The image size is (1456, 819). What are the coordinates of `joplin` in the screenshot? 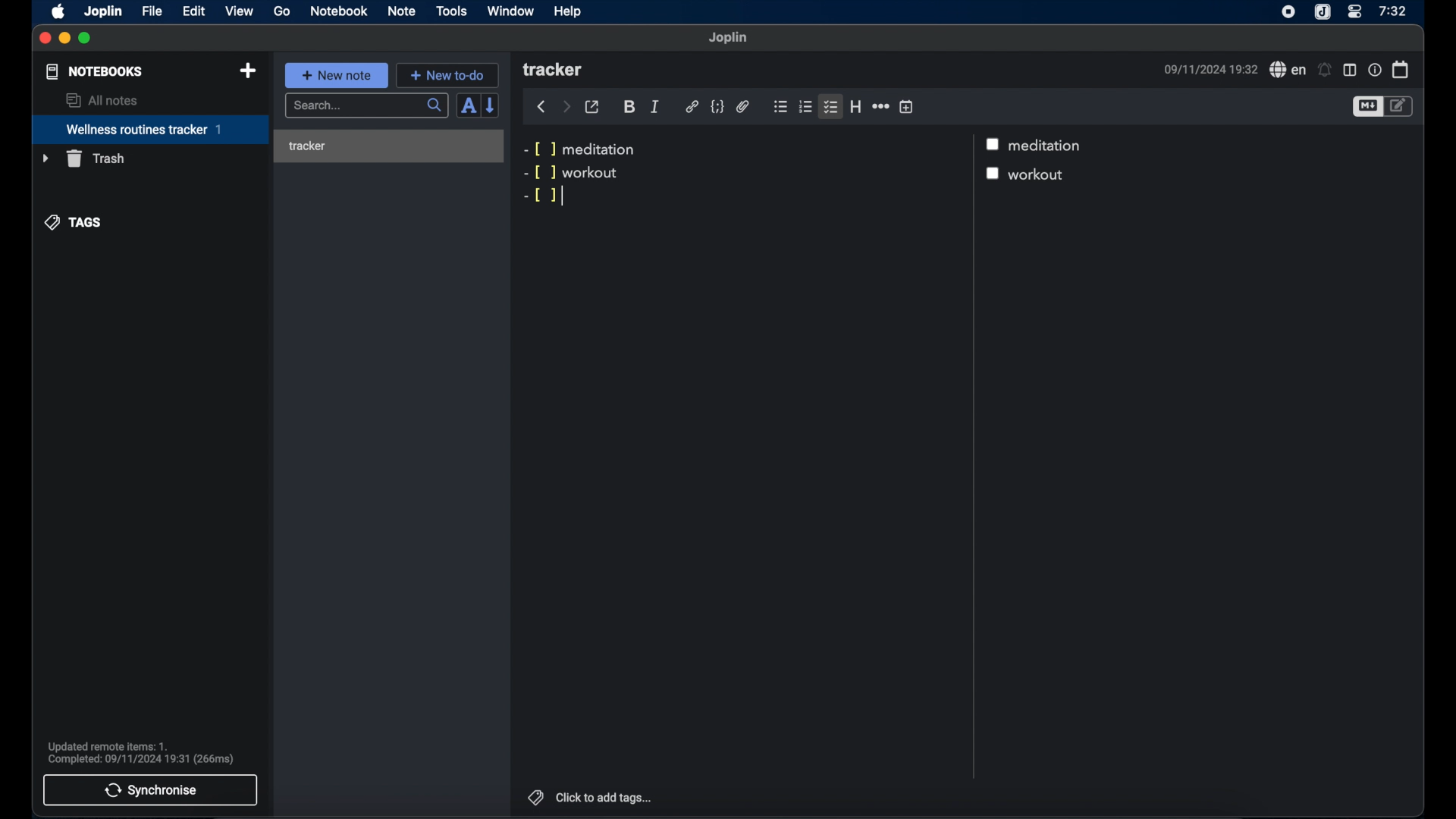 It's located at (104, 12).